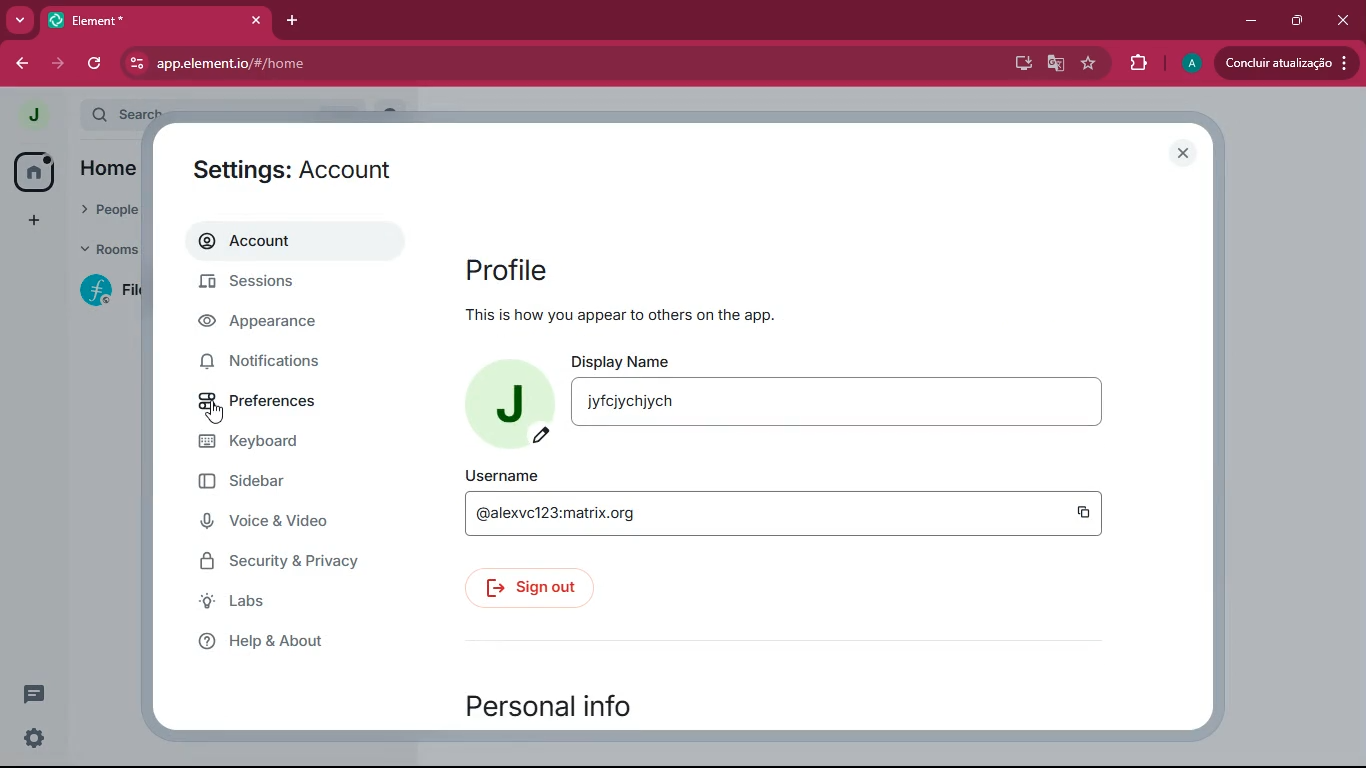 The width and height of the screenshot is (1366, 768). I want to click on @alexvc123:matrix.org, so click(740, 514).